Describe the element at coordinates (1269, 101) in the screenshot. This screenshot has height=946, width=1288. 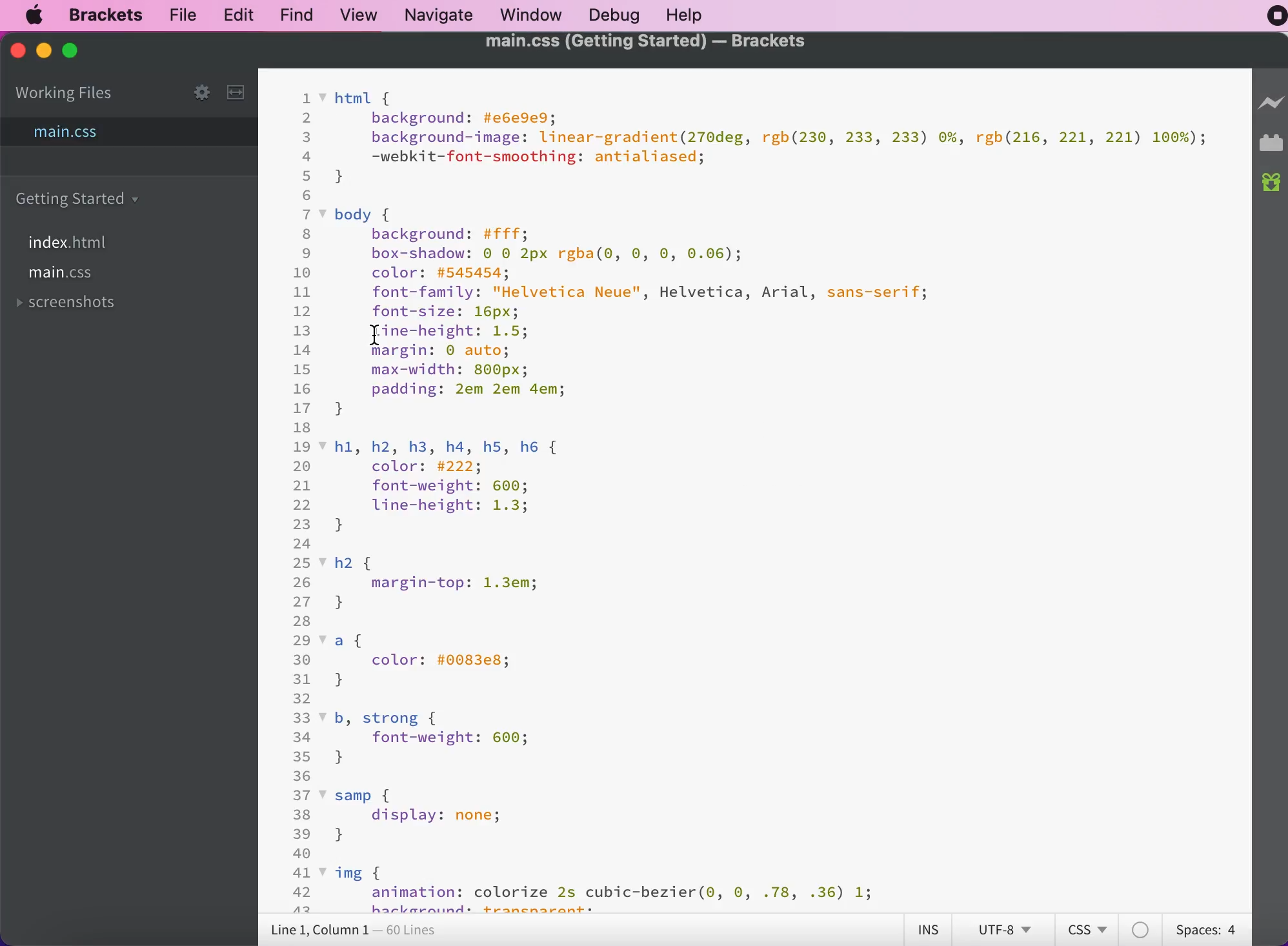
I see `live preview` at that location.